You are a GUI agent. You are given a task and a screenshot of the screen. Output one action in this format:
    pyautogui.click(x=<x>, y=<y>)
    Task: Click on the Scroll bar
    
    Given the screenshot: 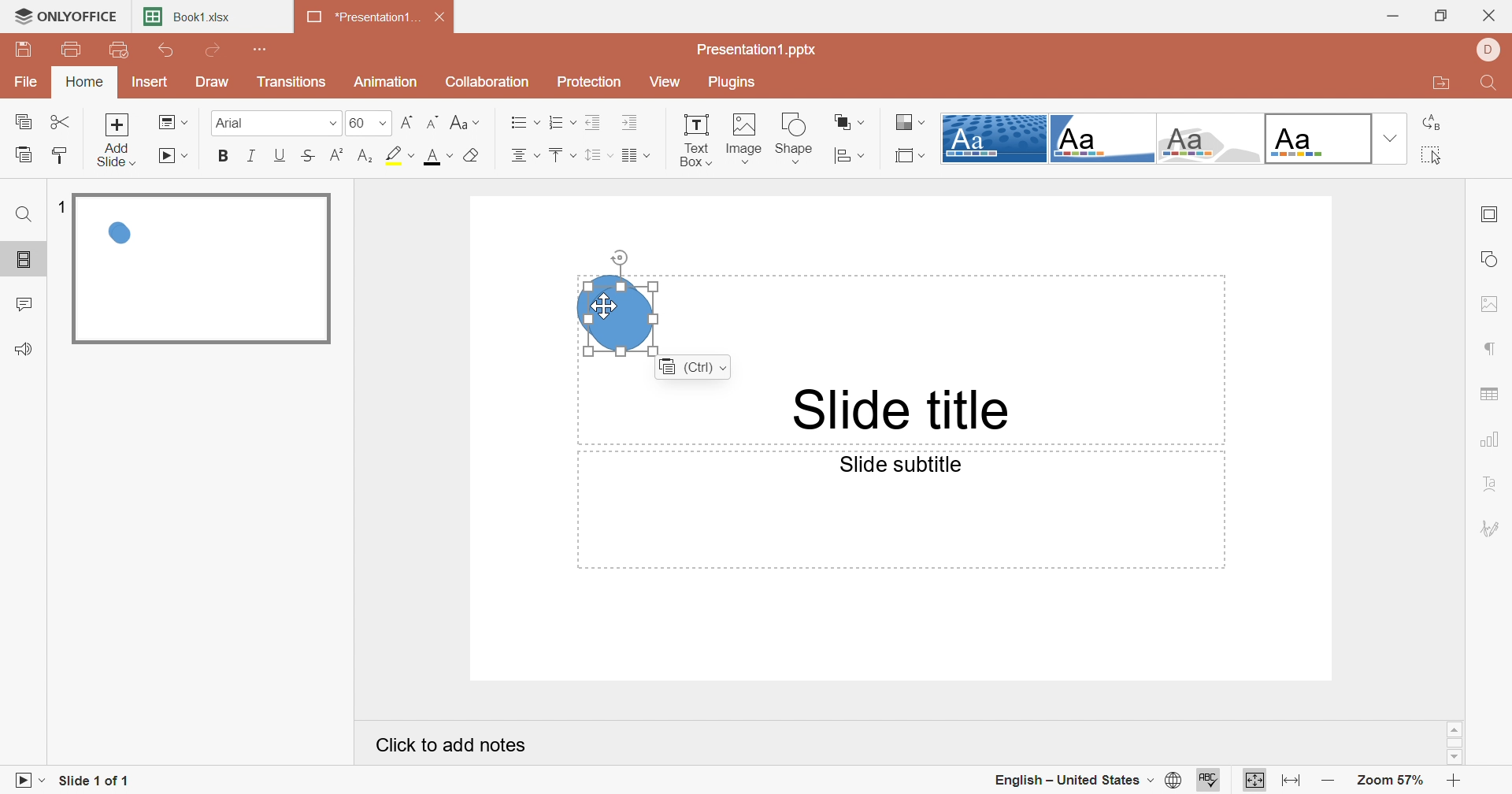 What is the action you would take?
    pyautogui.click(x=1455, y=743)
    